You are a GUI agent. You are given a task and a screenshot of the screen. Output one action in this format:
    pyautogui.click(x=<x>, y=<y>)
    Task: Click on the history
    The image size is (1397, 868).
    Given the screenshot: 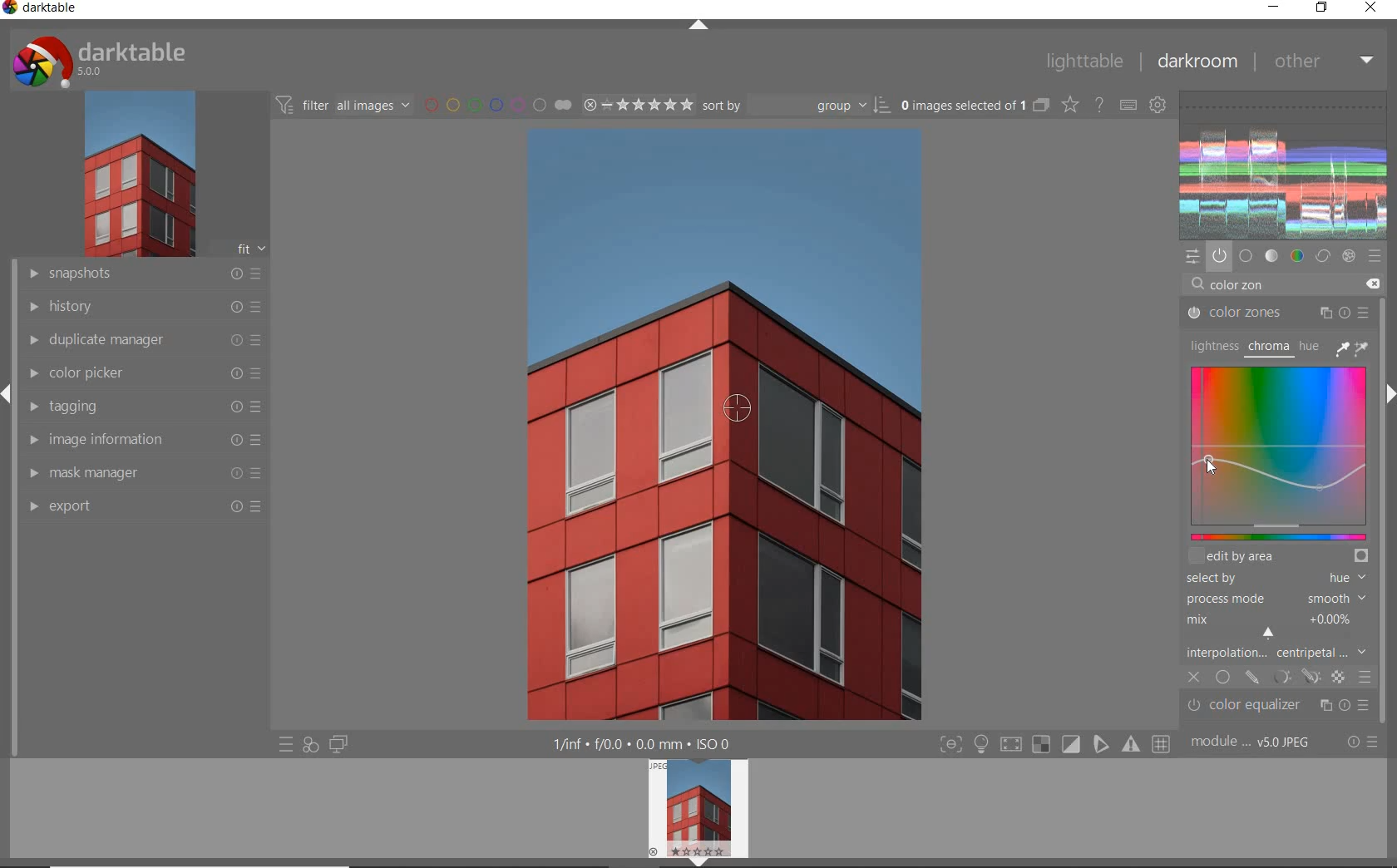 What is the action you would take?
    pyautogui.click(x=141, y=308)
    